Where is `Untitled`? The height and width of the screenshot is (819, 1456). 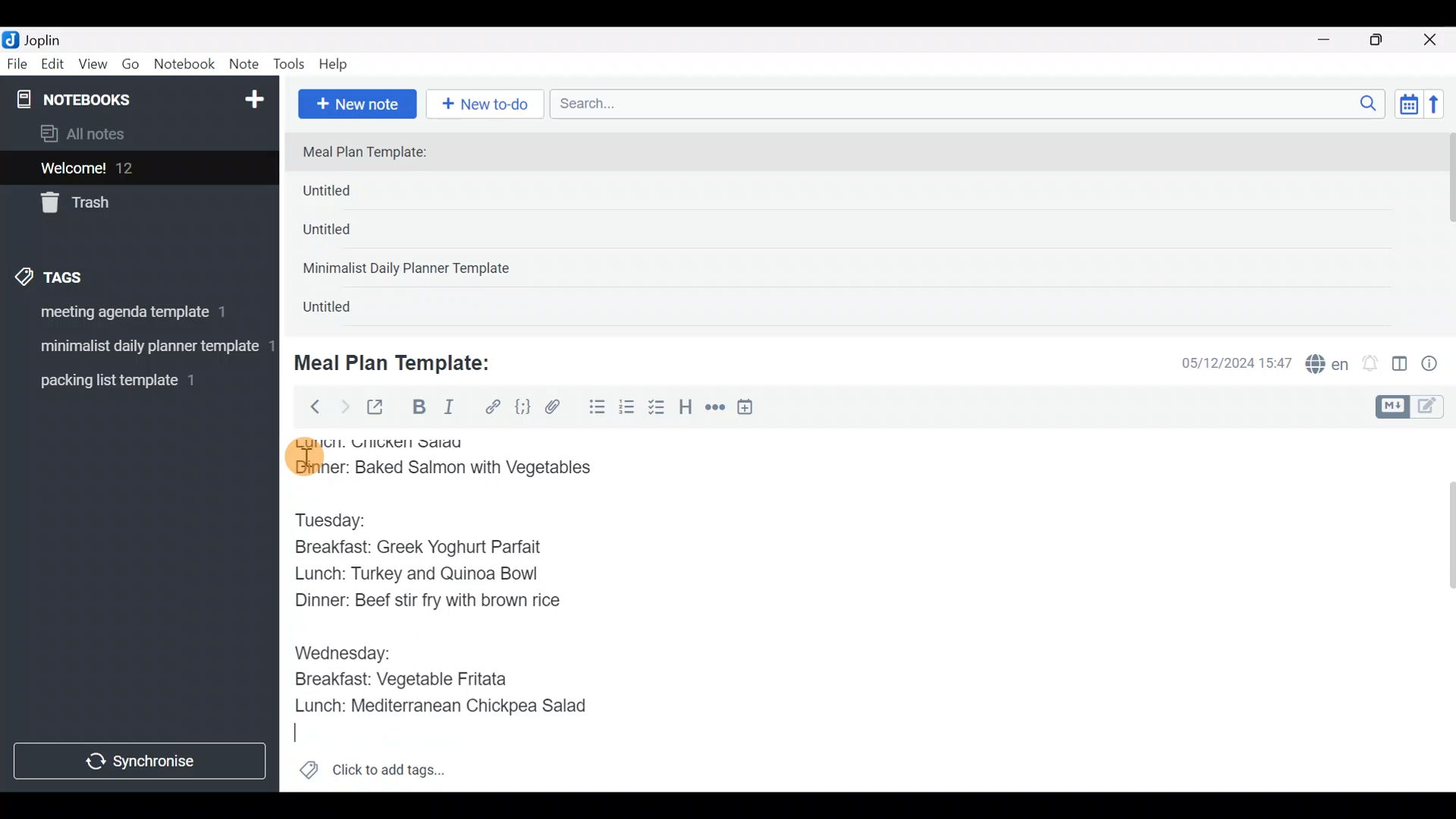
Untitled is located at coordinates (352, 194).